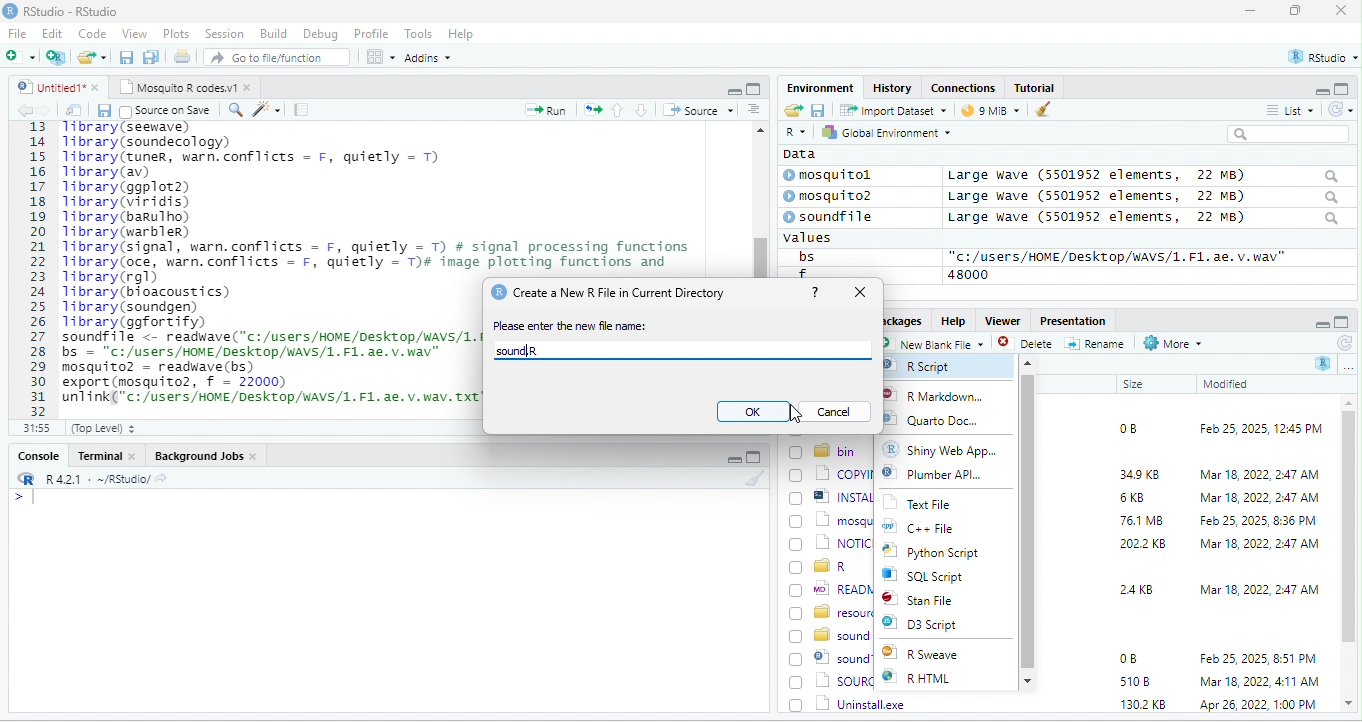 Image resolution: width=1362 pixels, height=722 pixels. Describe the element at coordinates (831, 635) in the screenshot. I see `8 sound analysis` at that location.